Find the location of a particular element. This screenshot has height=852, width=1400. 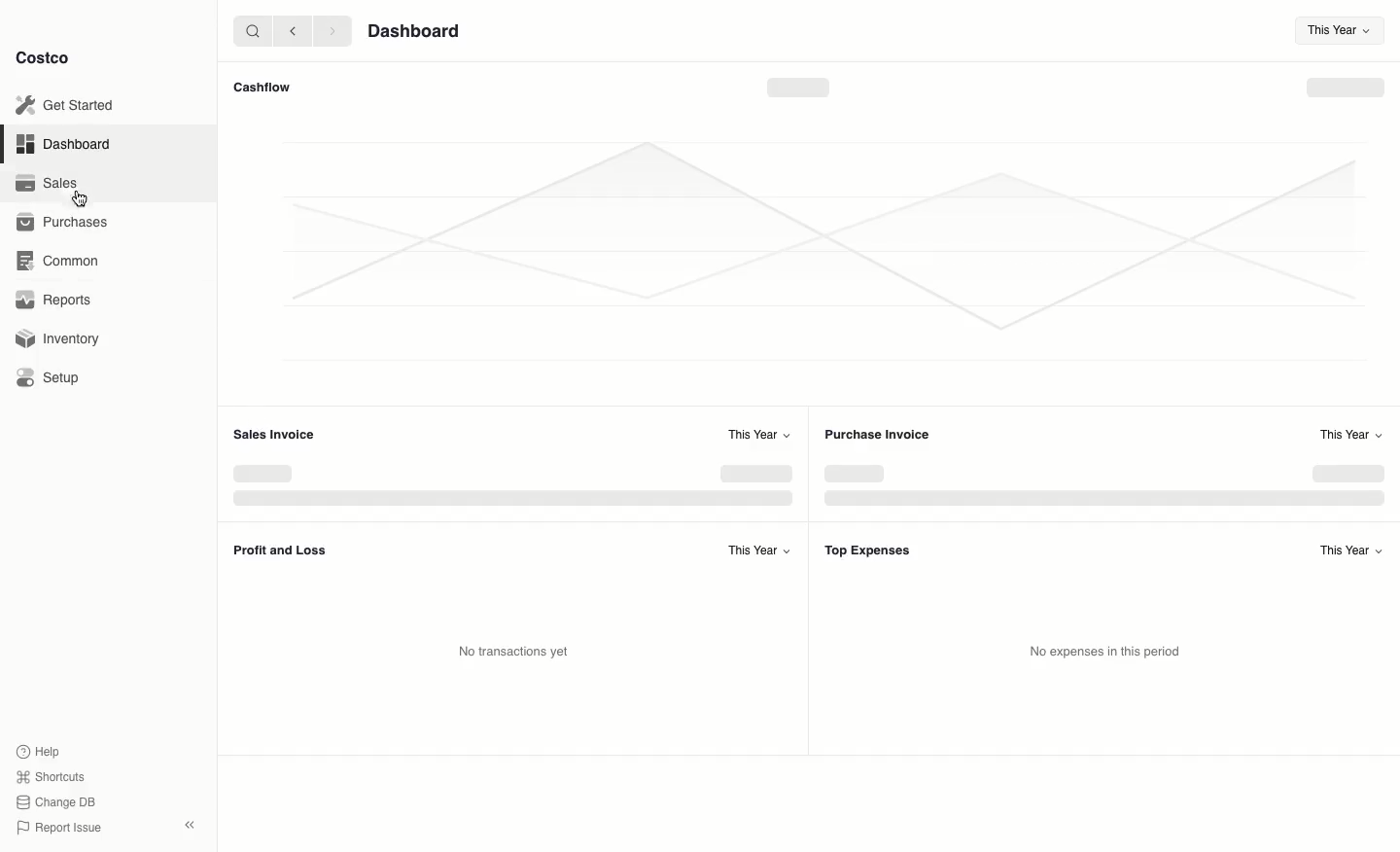

This Year is located at coordinates (756, 550).